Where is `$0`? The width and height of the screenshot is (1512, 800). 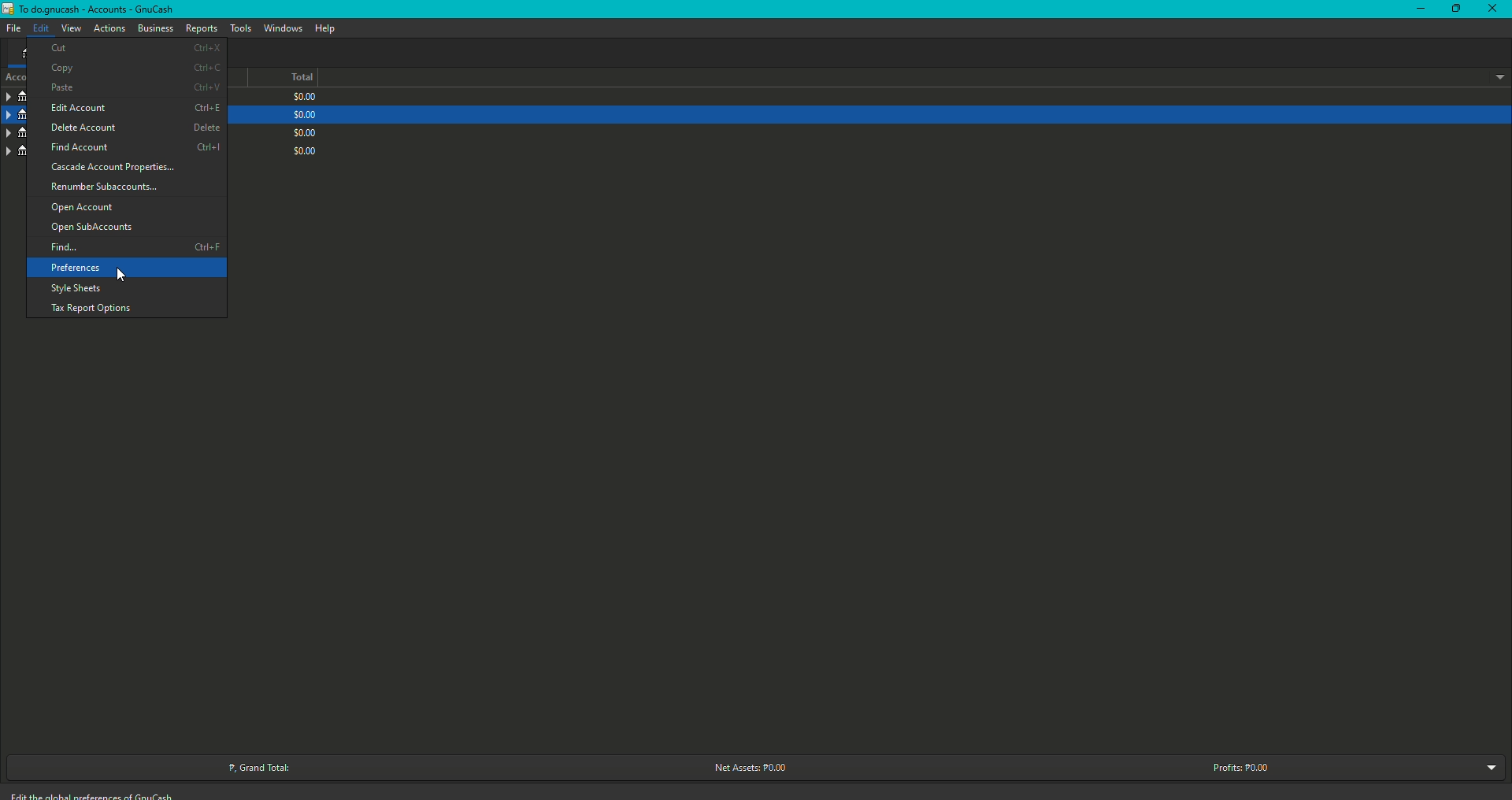
$0 is located at coordinates (303, 131).